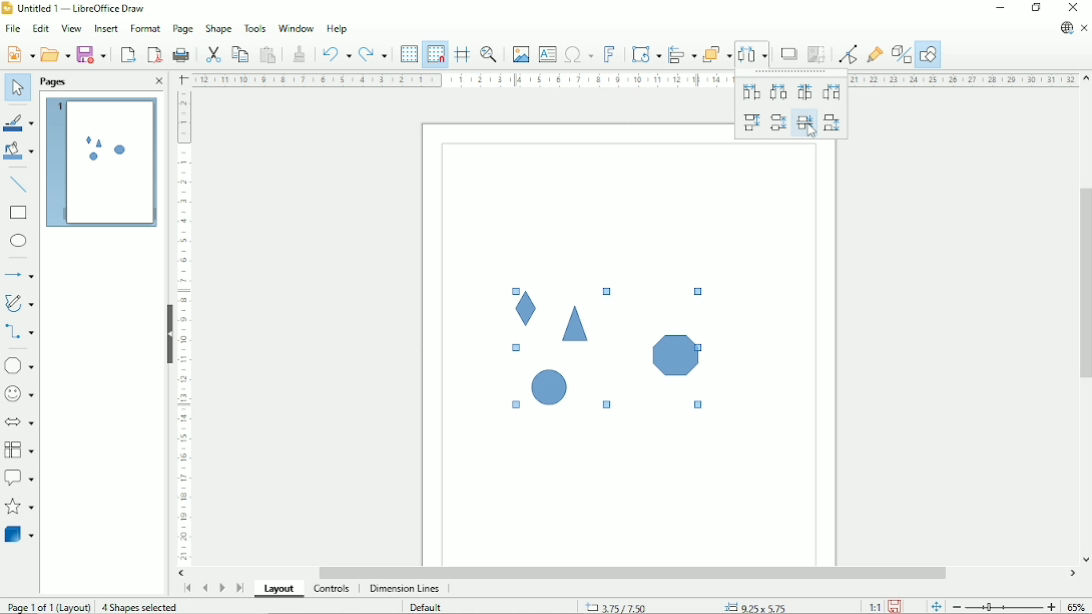 The height and width of the screenshot is (614, 1092). What do you see at coordinates (15, 87) in the screenshot?
I see `Select` at bounding box center [15, 87].